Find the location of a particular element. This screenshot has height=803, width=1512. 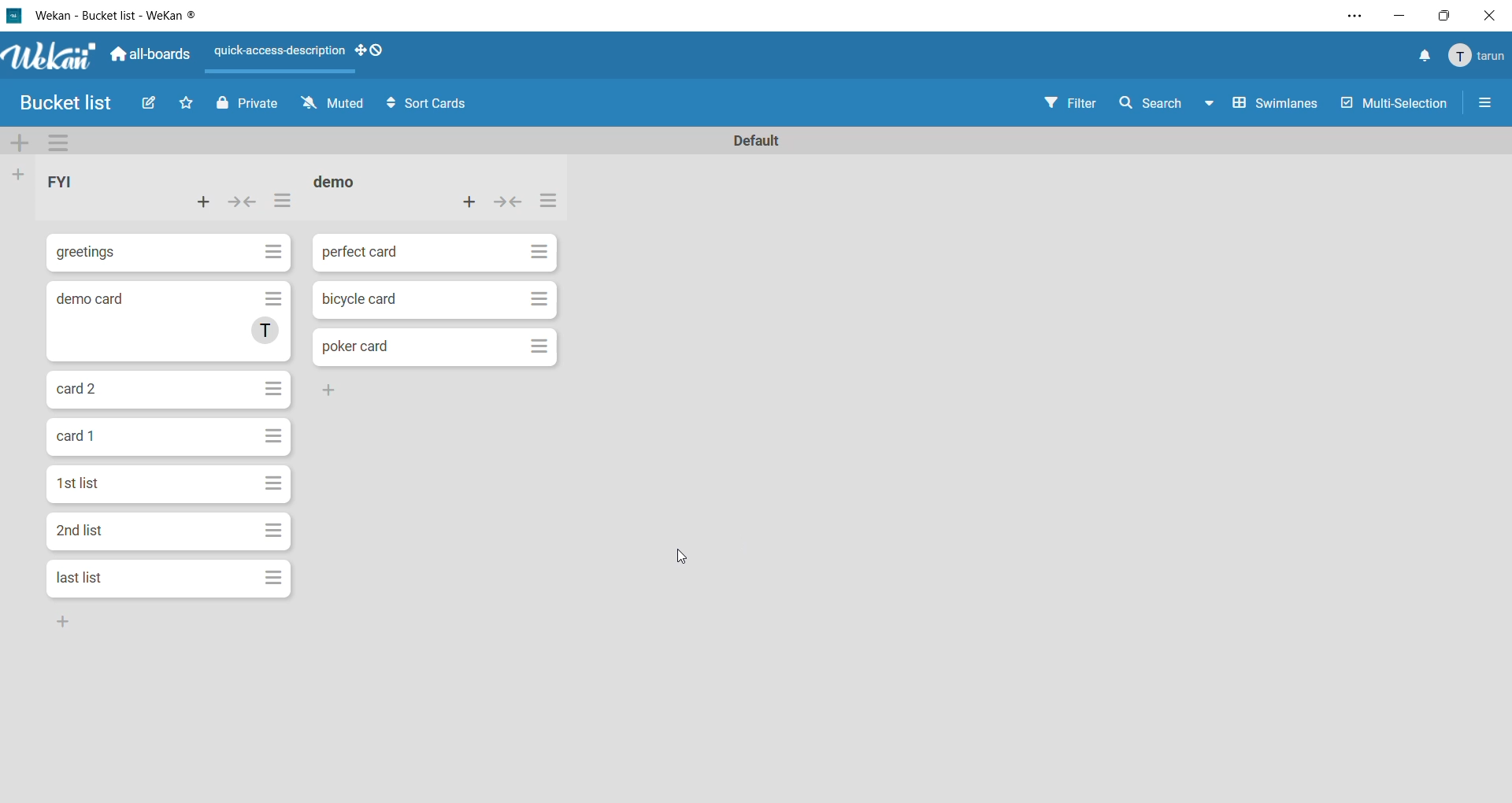

Menu is located at coordinates (1492, 105).